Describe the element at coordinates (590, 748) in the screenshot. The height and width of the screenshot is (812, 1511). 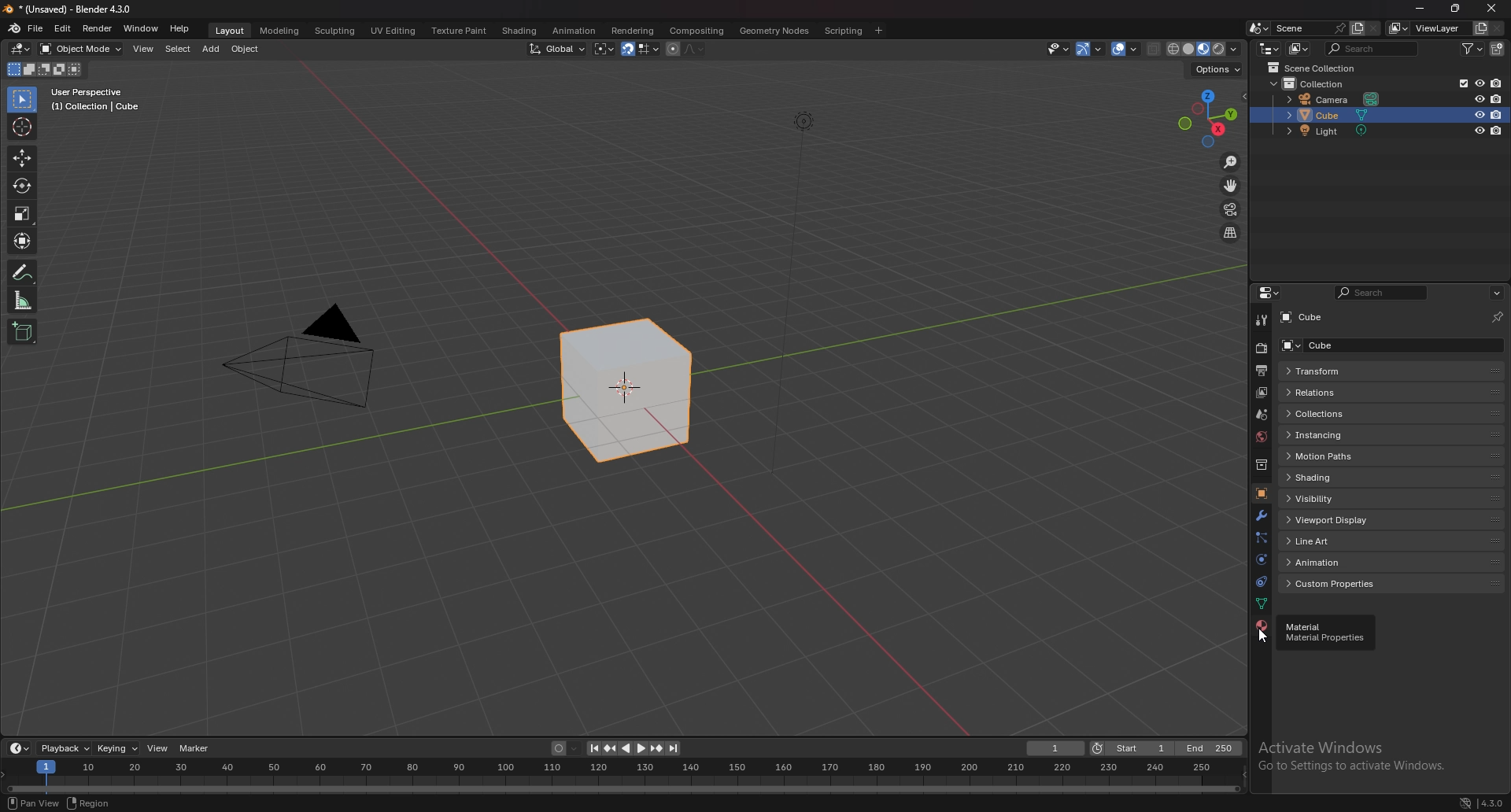
I see `jump to endpoint` at that location.